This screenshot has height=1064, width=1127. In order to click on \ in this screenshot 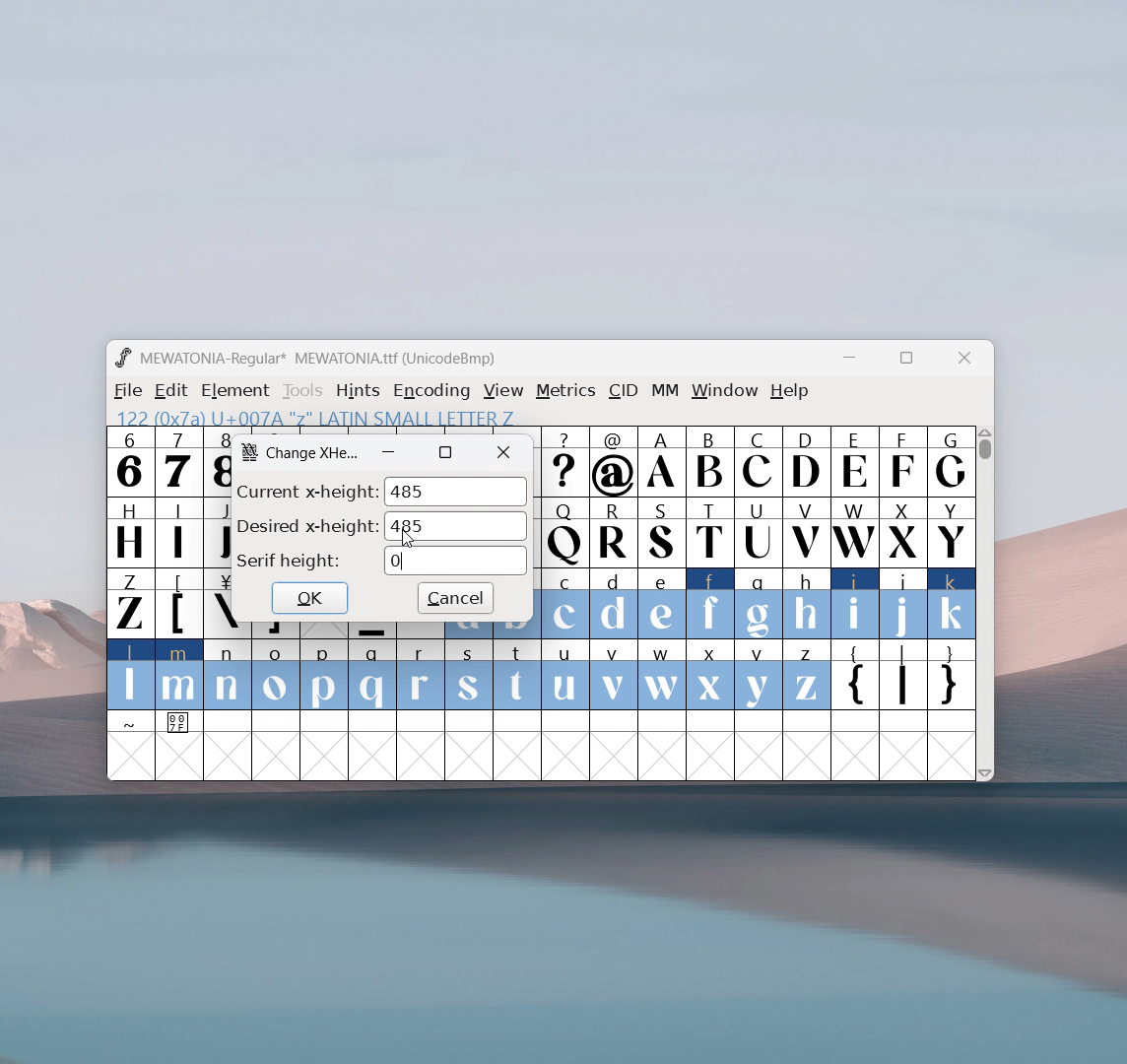, I will do `click(219, 604)`.